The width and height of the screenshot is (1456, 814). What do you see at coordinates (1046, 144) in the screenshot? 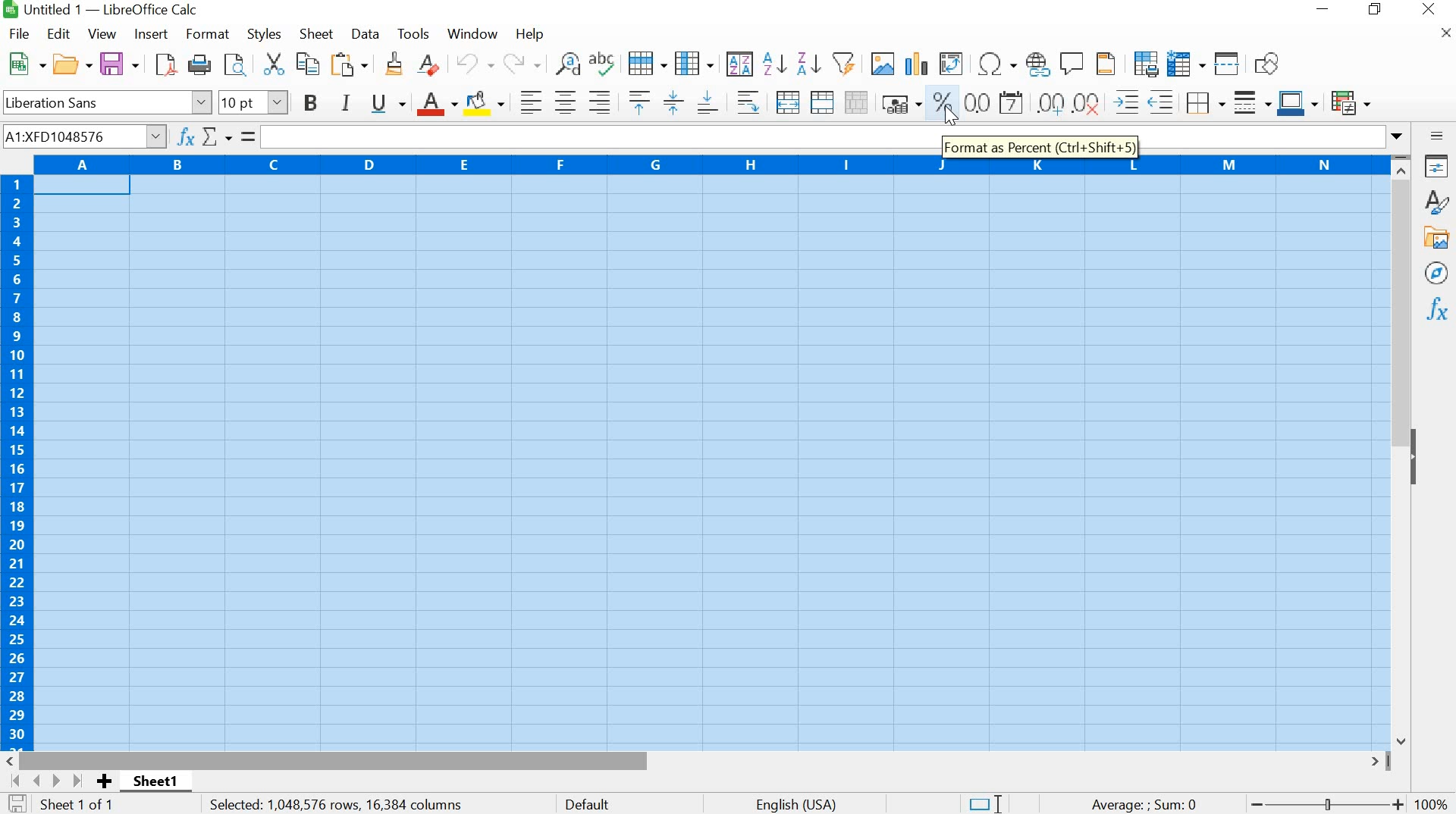
I see `FORMAT AS PERCENT (Ctrl + Shift + S)` at bounding box center [1046, 144].